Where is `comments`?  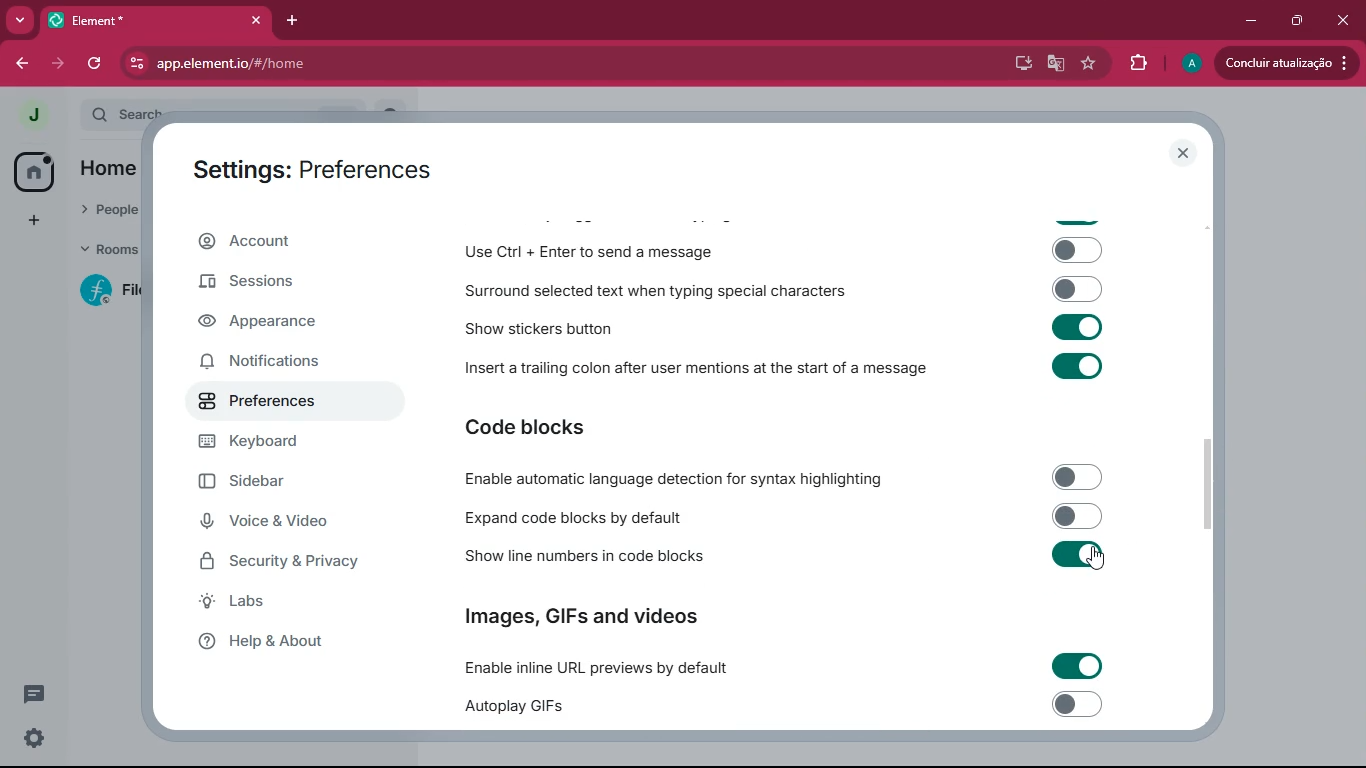
comments is located at coordinates (34, 693).